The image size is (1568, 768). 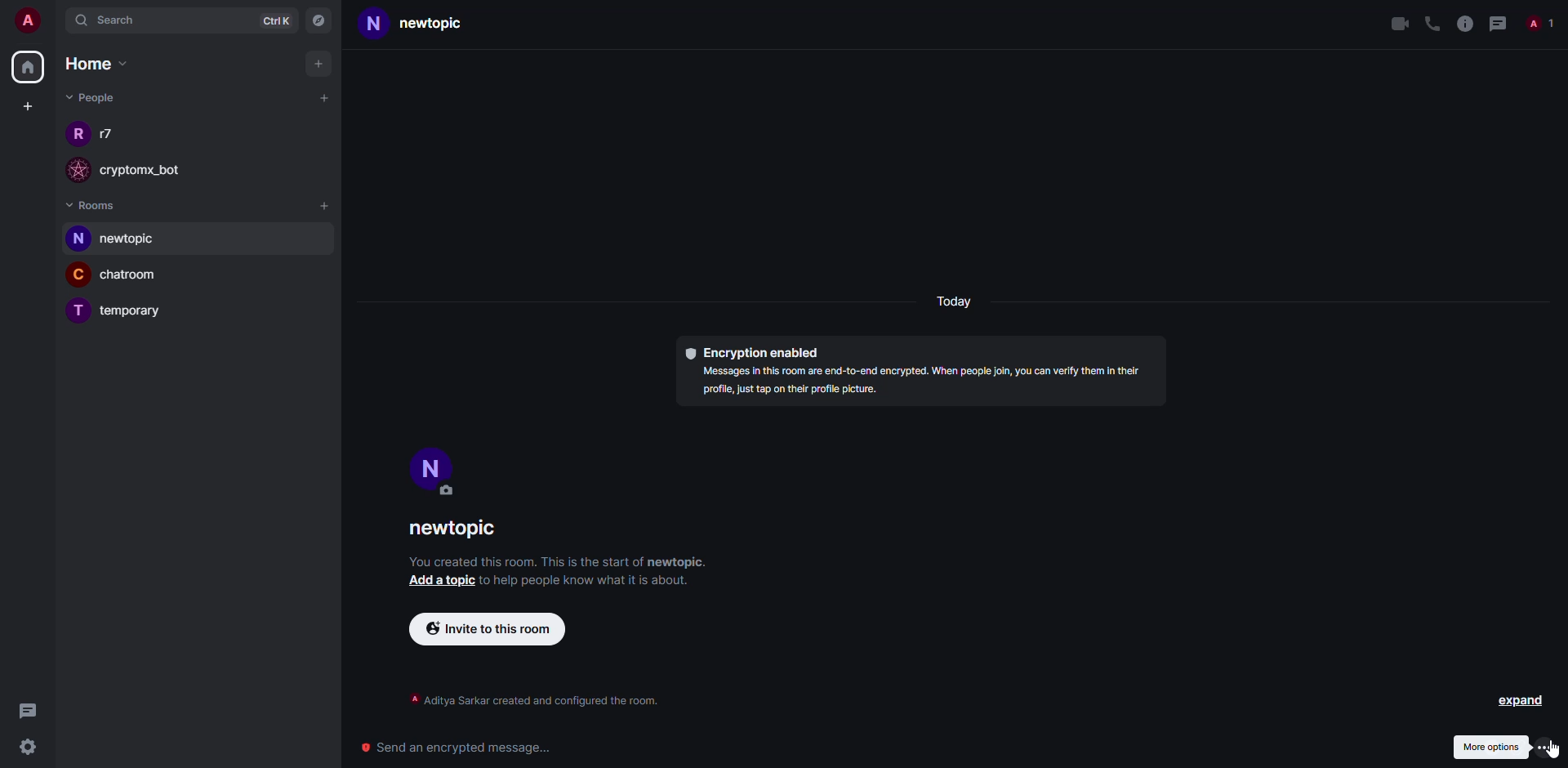 What do you see at coordinates (27, 108) in the screenshot?
I see `create space` at bounding box center [27, 108].